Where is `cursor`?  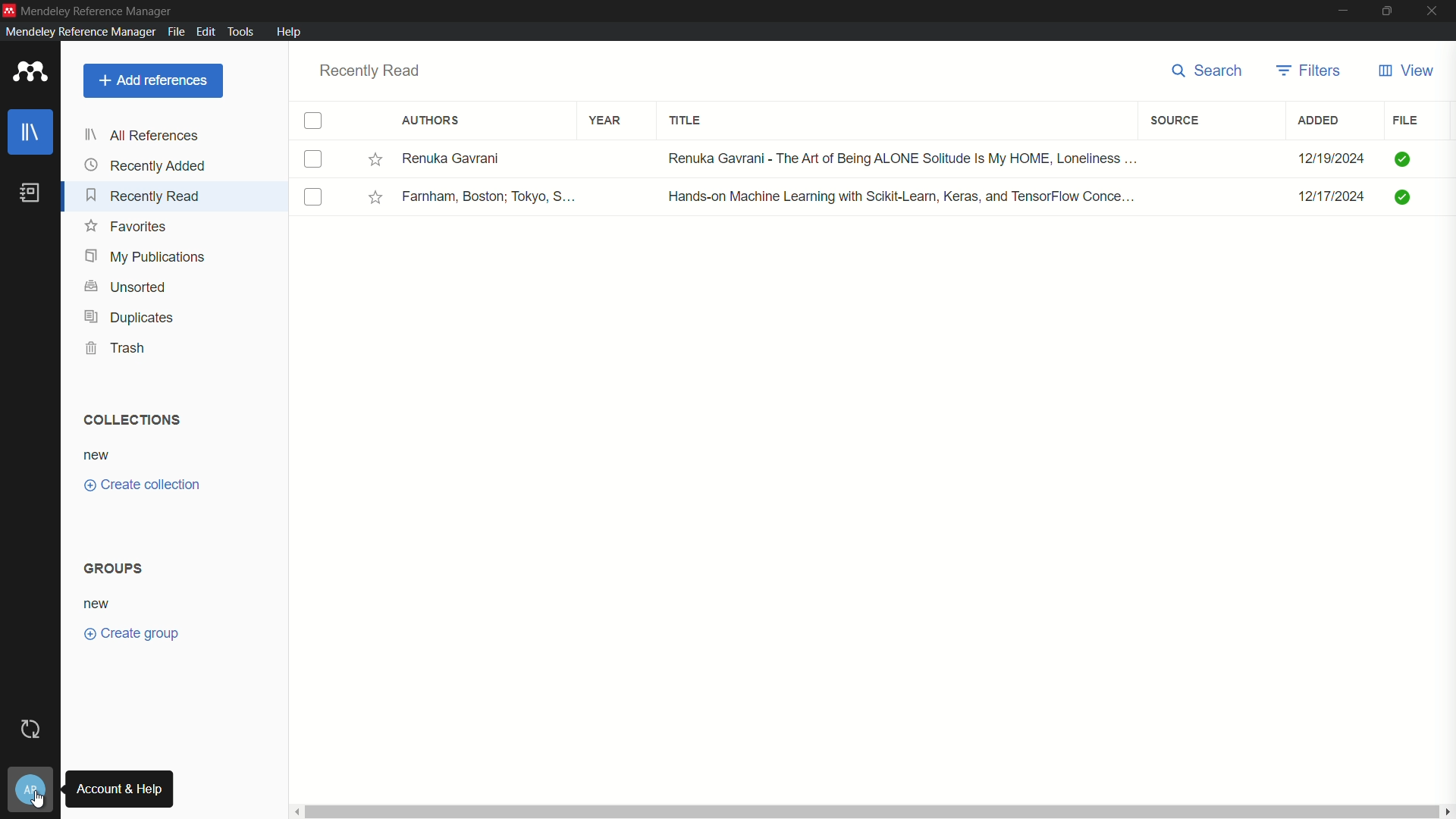 cursor is located at coordinates (40, 800).